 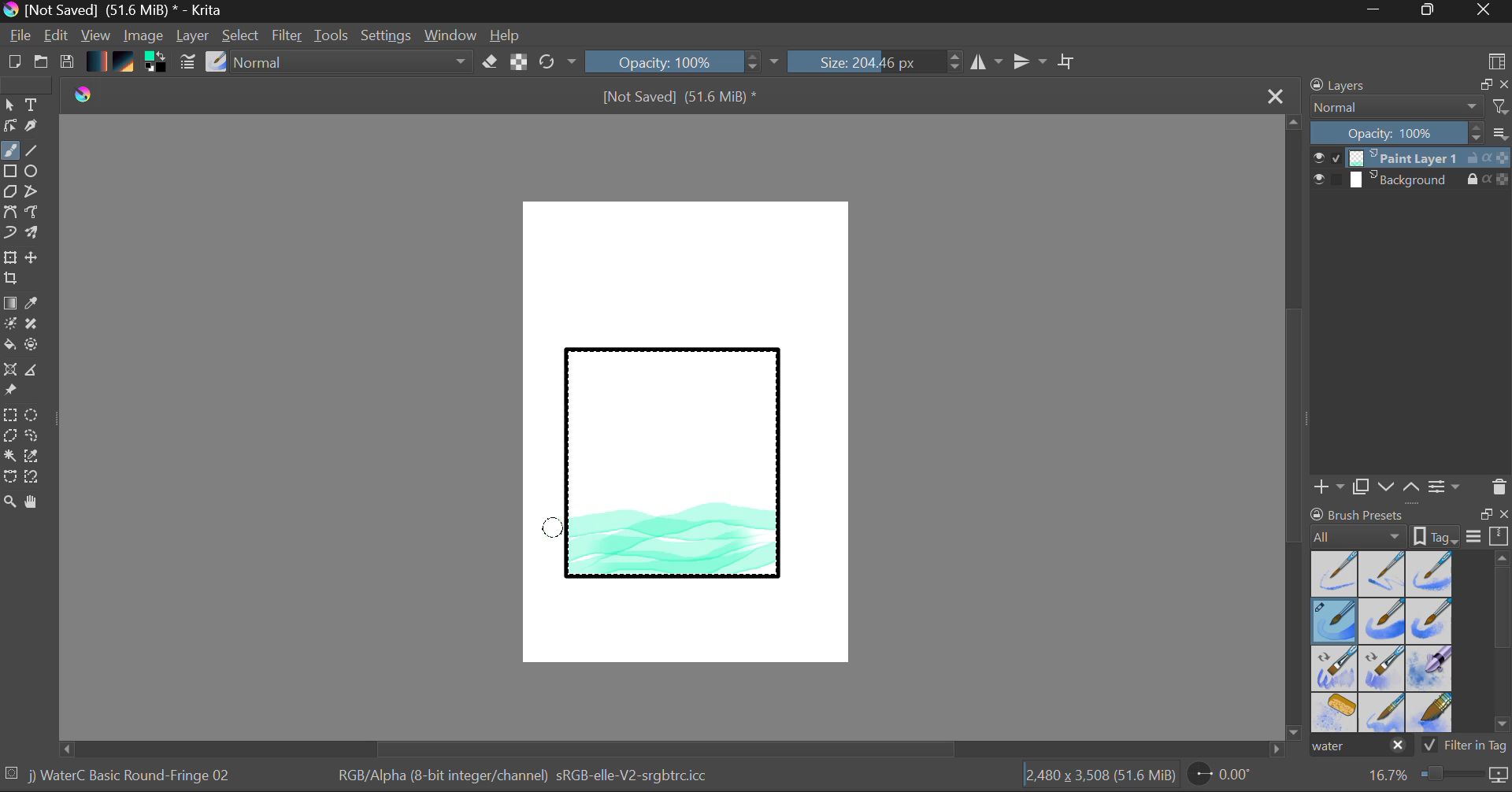 I want to click on Transform Layer, so click(x=9, y=256).